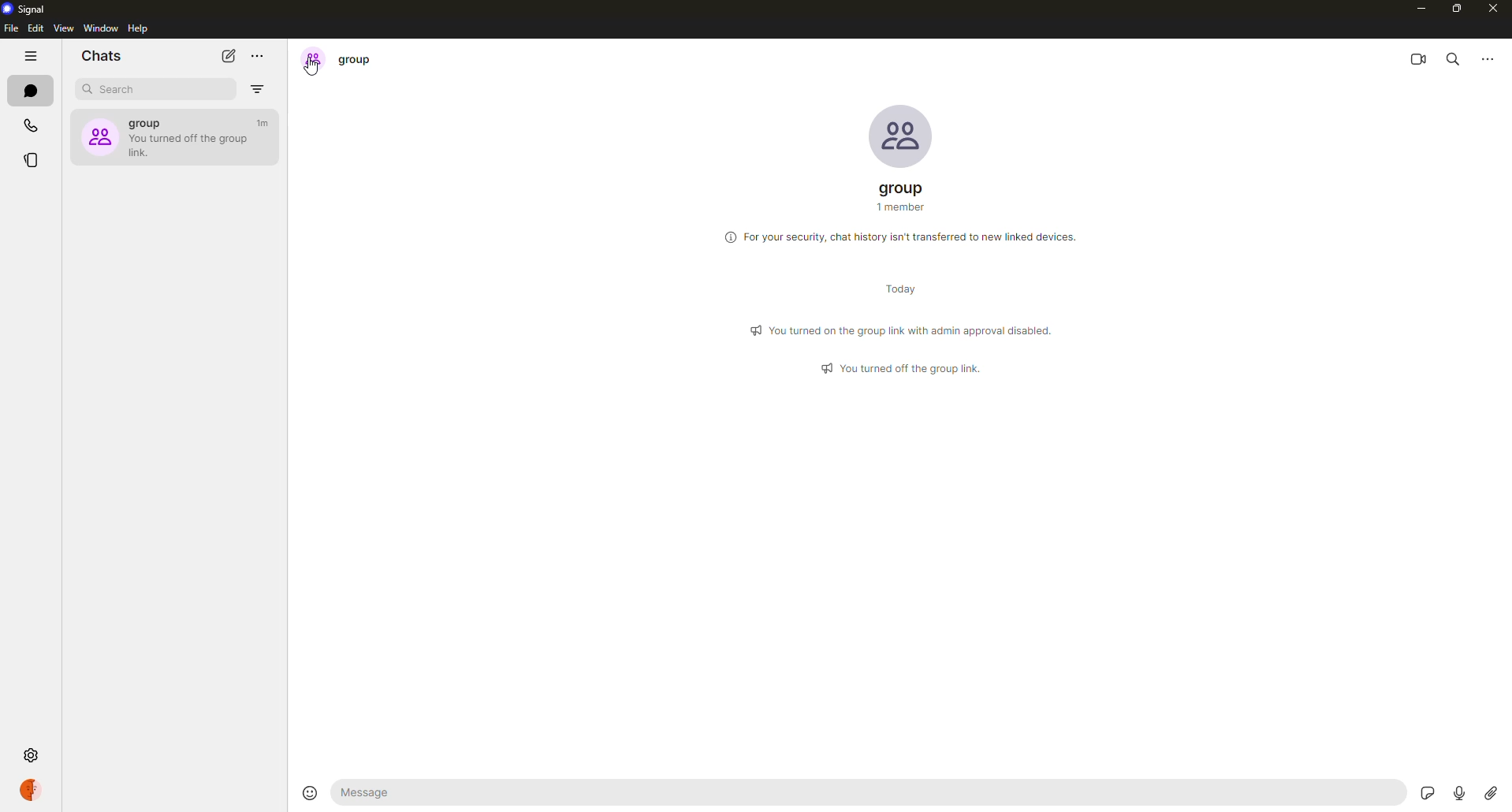  I want to click on profile pic, so click(906, 136).